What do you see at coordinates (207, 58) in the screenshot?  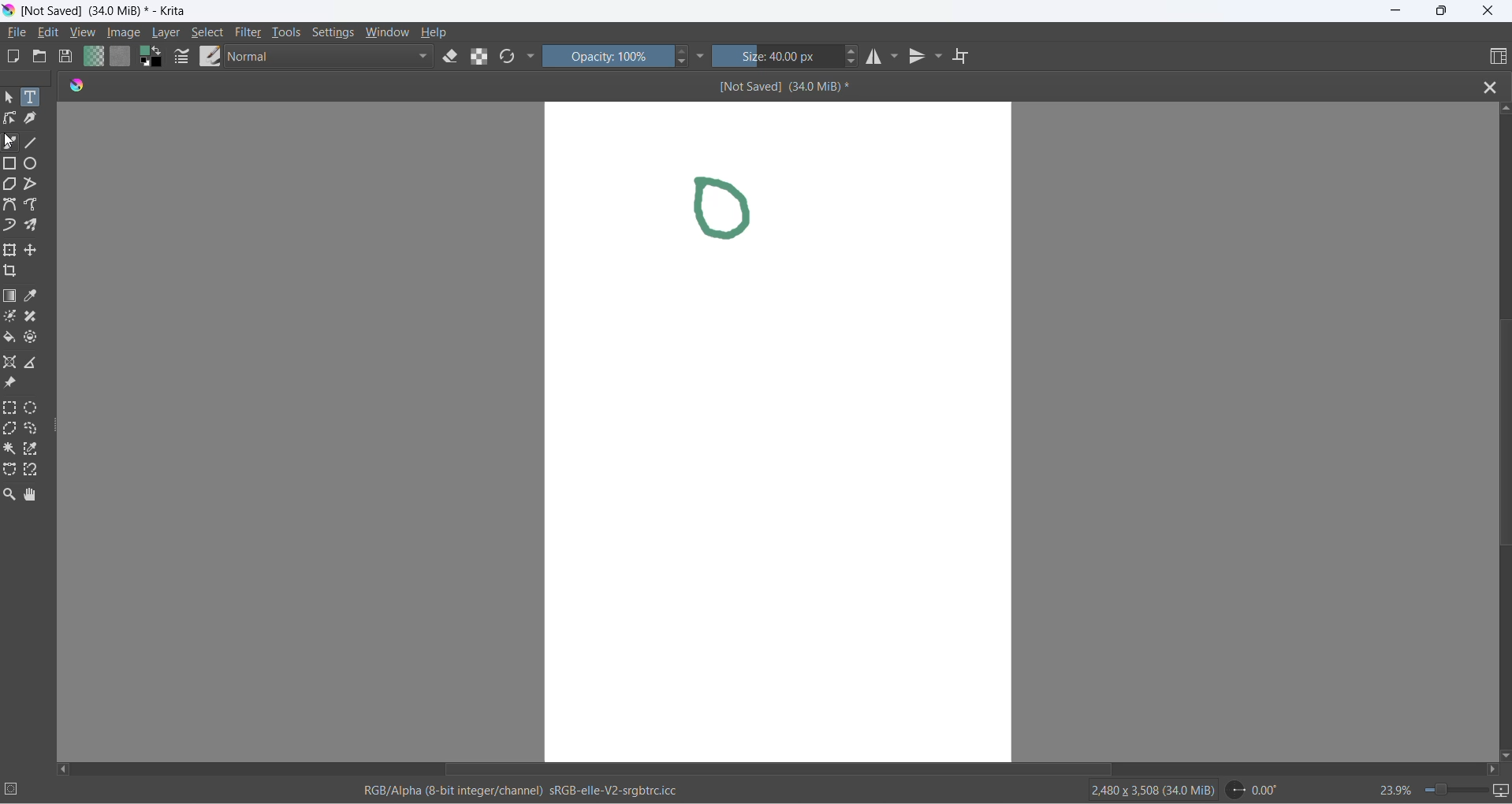 I see `brush presets` at bounding box center [207, 58].